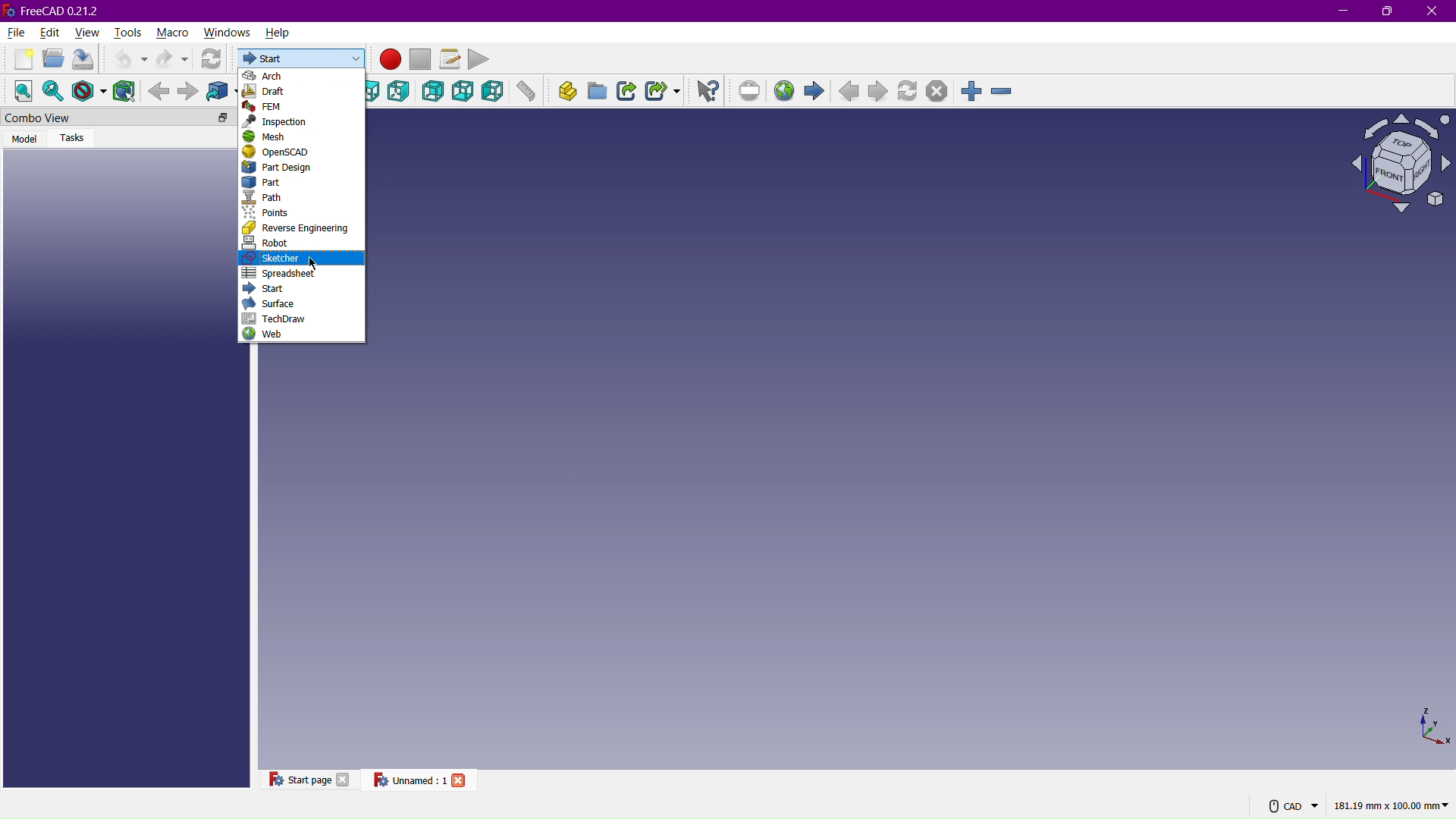 The width and height of the screenshot is (1456, 819). Describe the element at coordinates (265, 199) in the screenshot. I see `Path` at that location.